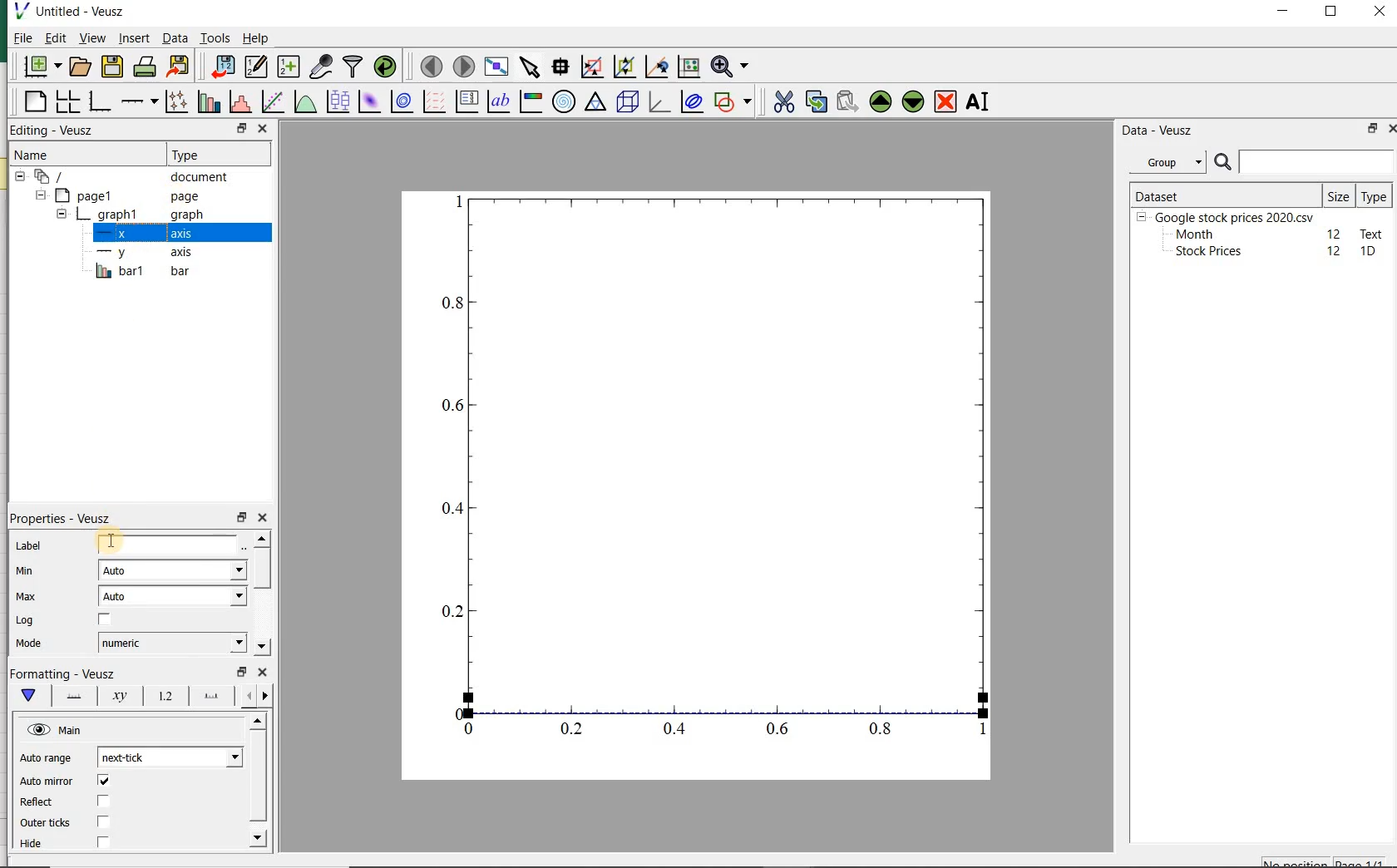 The height and width of the screenshot is (868, 1397). Describe the element at coordinates (654, 67) in the screenshot. I see `click to recenter graph axes` at that location.